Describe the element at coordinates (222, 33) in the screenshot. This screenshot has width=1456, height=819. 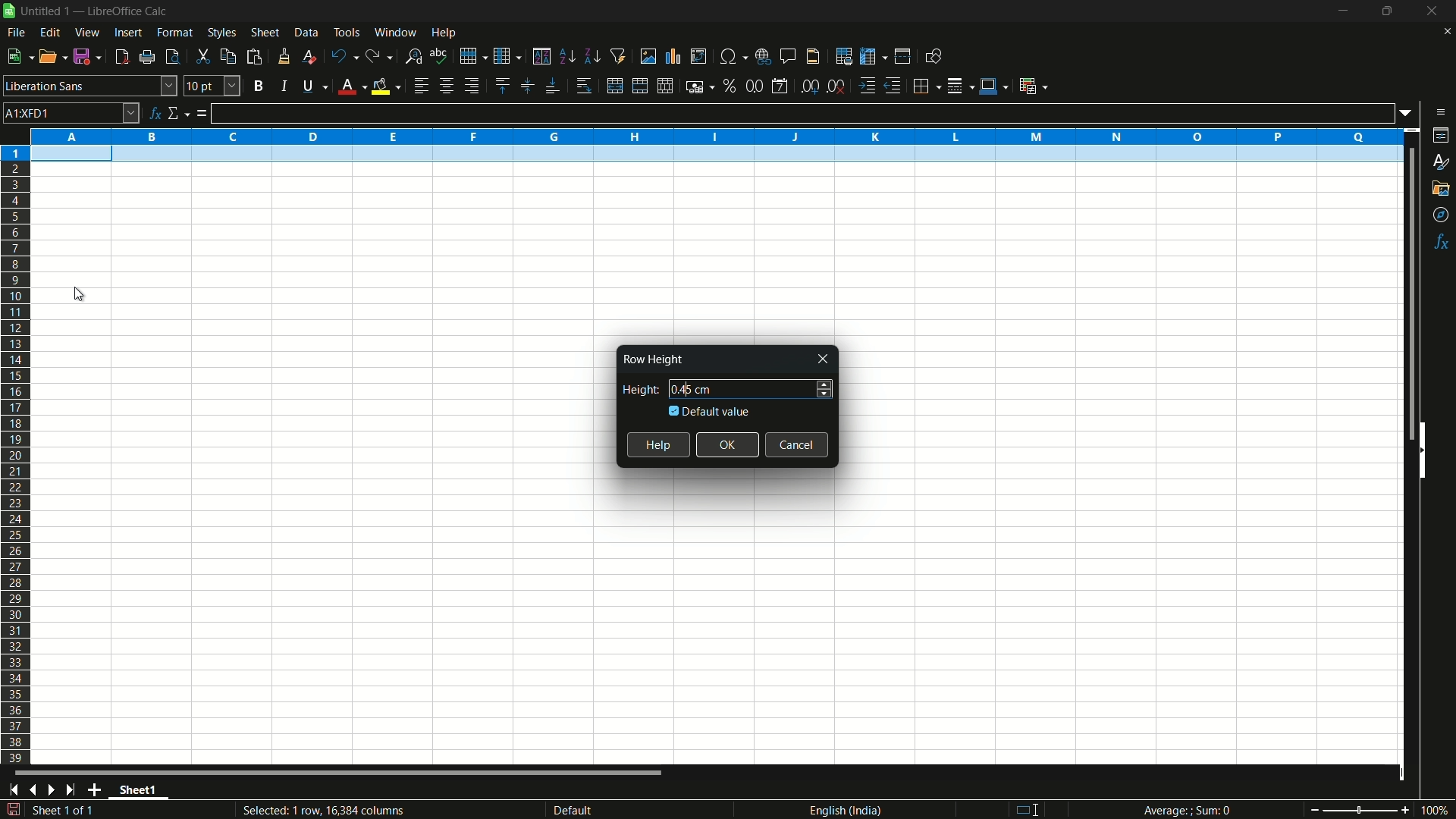
I see `styles menu` at that location.